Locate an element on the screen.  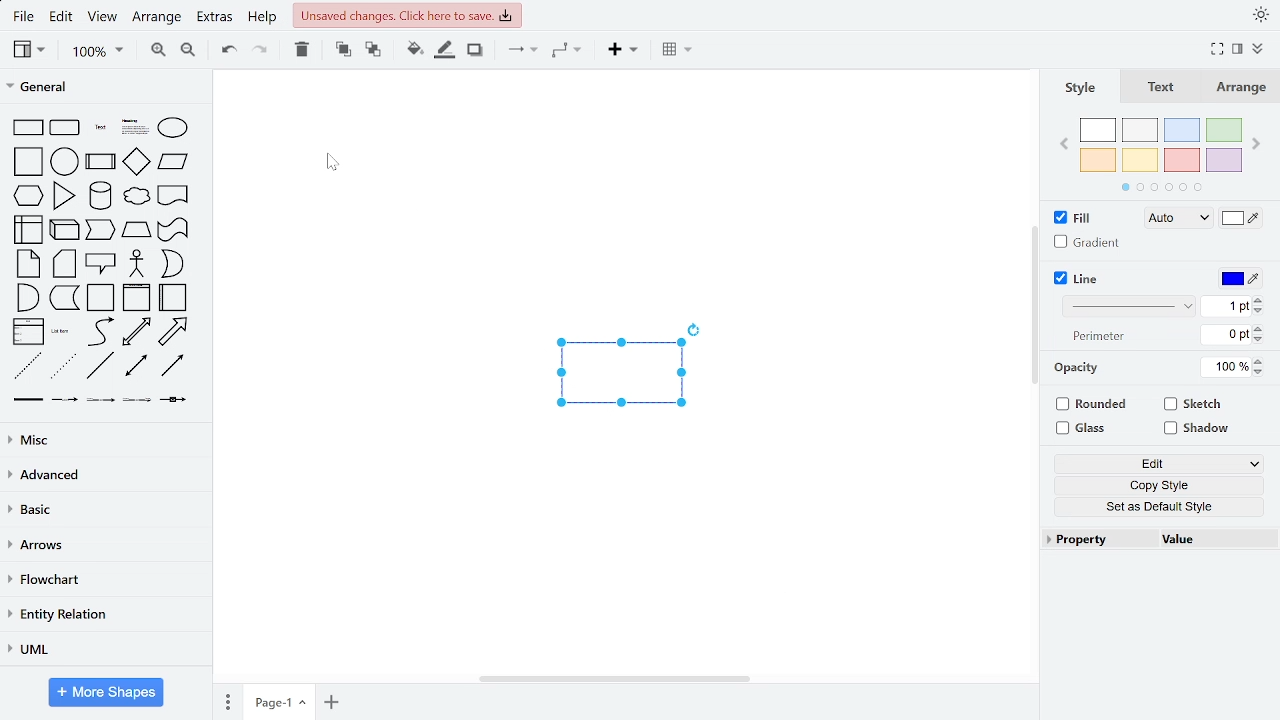
fill color is located at coordinates (1242, 220).